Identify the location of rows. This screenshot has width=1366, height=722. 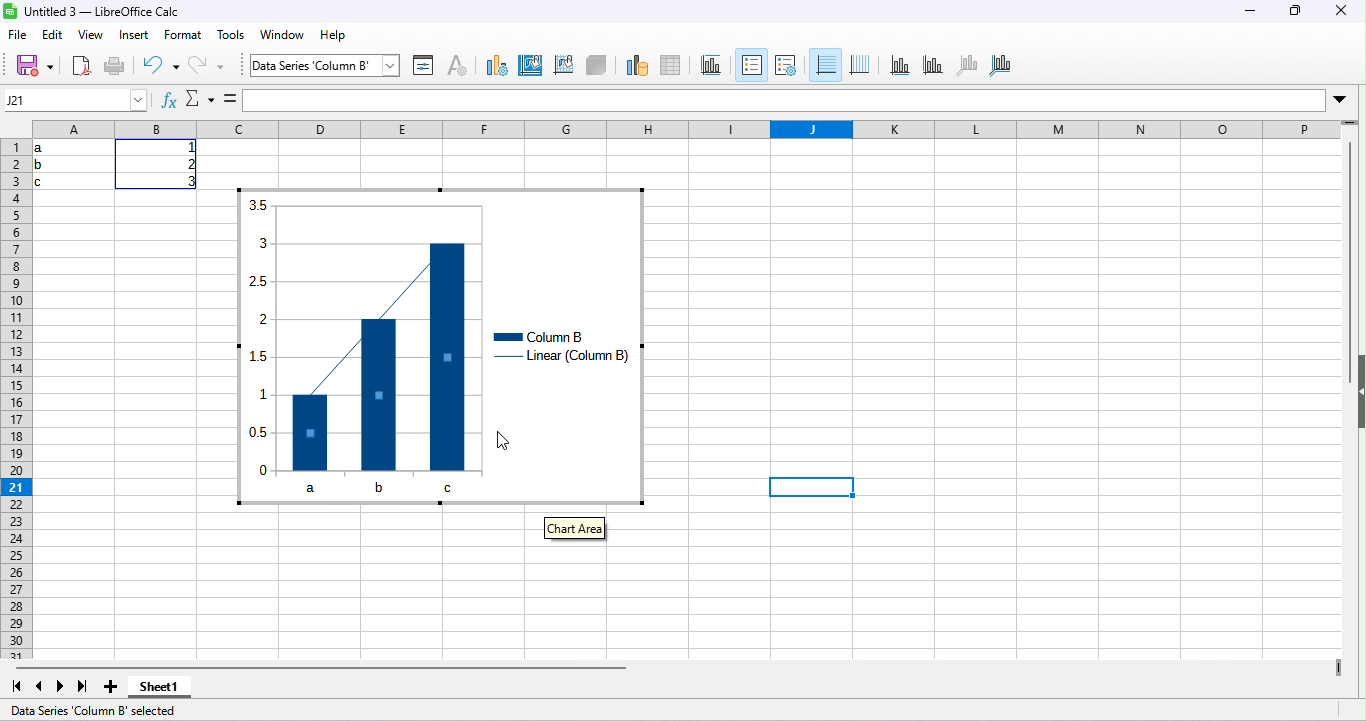
(12, 398).